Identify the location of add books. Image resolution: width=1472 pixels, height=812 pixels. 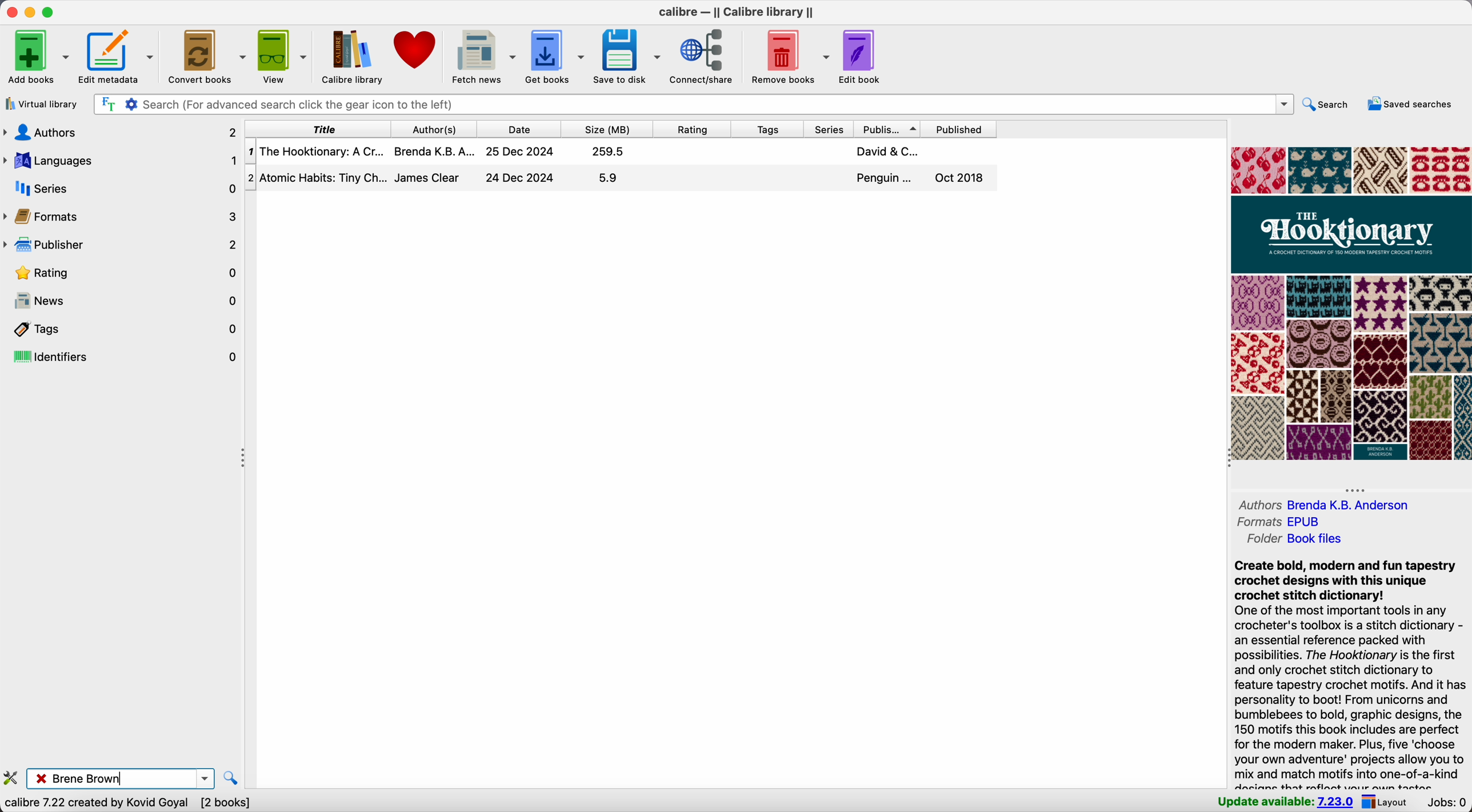
(36, 58).